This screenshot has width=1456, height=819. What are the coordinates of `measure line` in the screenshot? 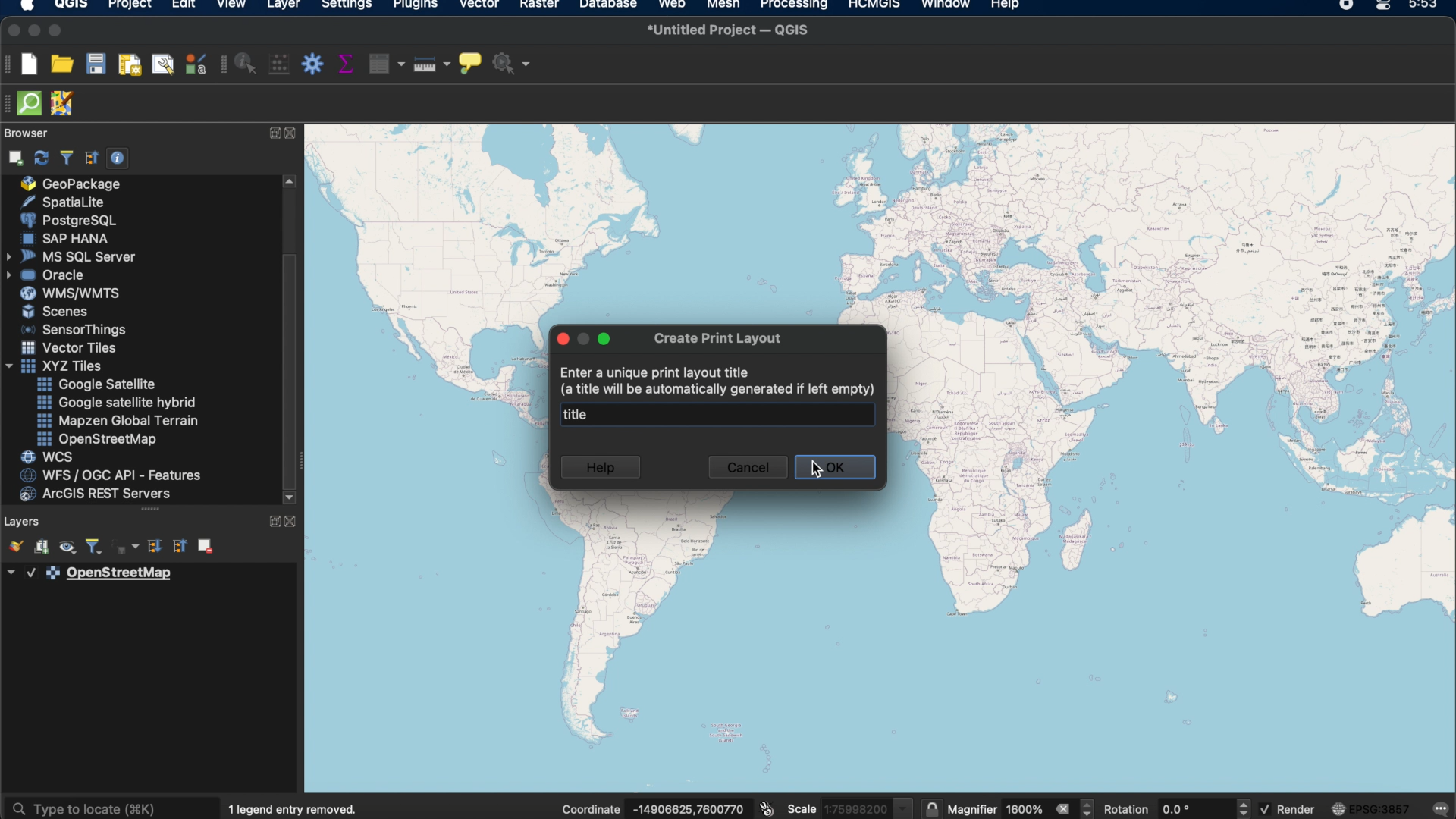 It's located at (431, 64).